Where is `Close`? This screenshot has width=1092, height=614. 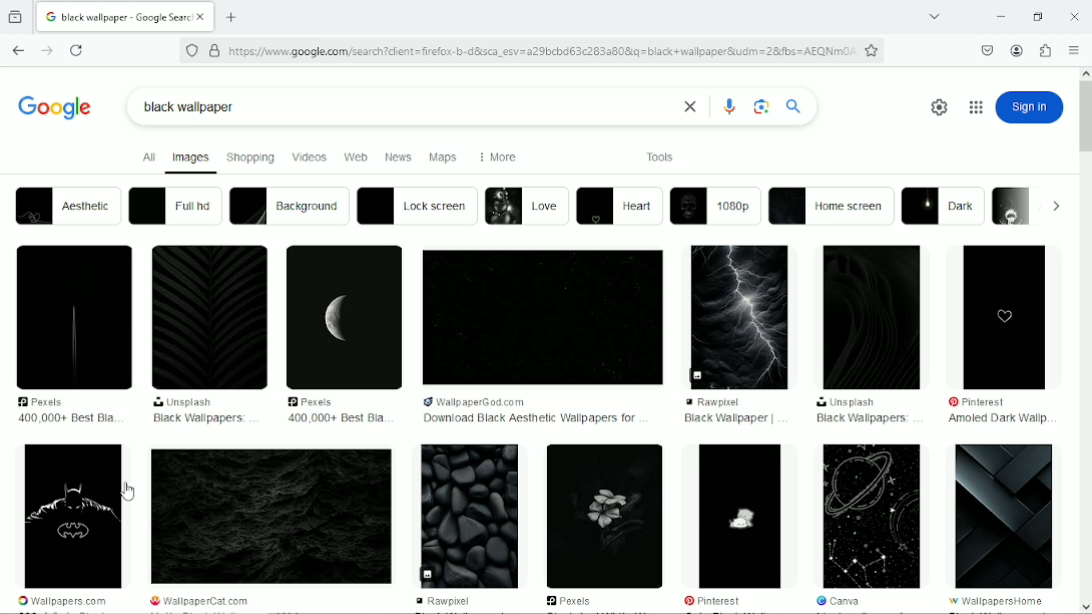 Close is located at coordinates (1075, 15).